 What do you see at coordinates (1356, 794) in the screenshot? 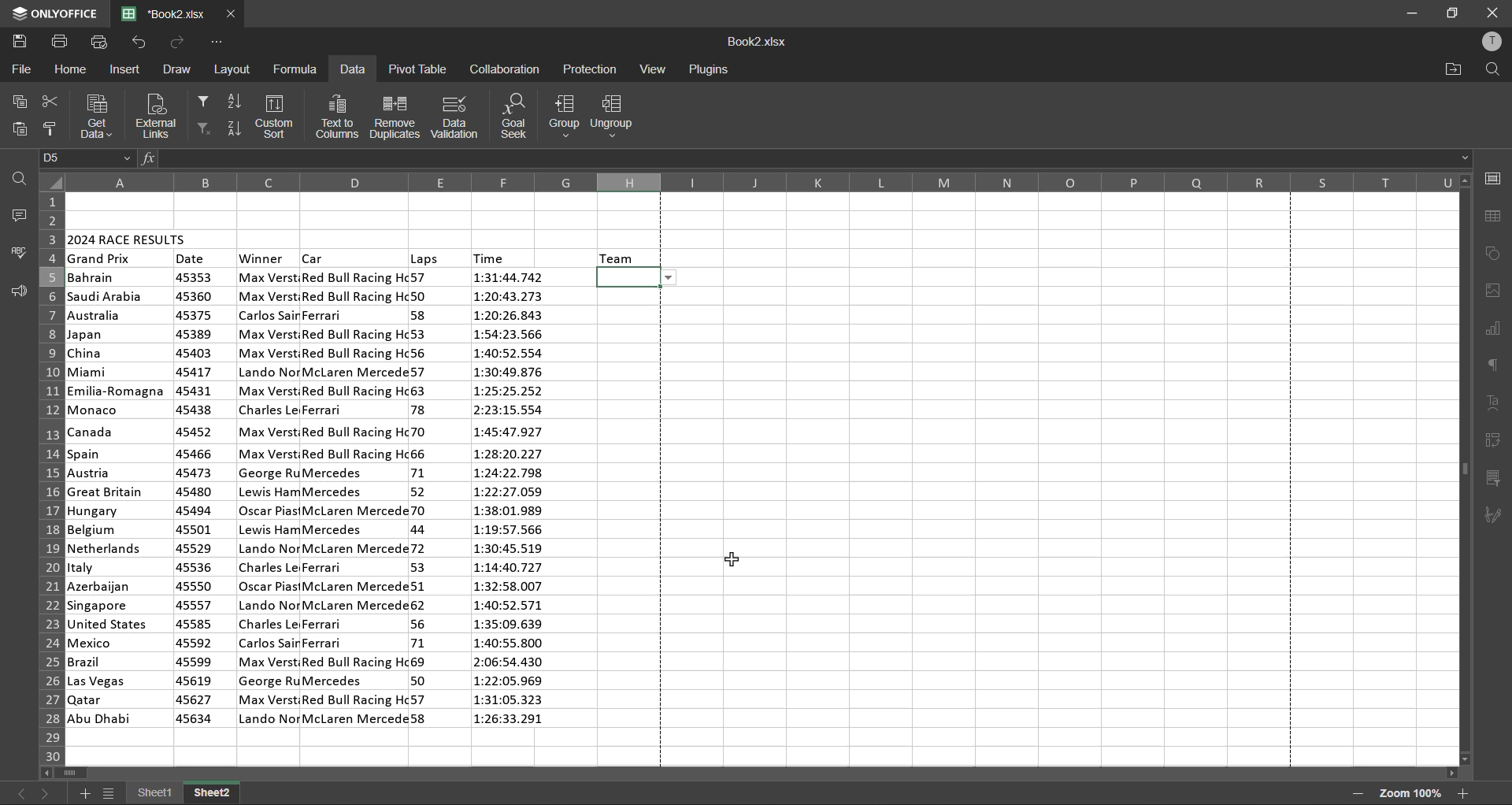
I see `zoom out` at bounding box center [1356, 794].